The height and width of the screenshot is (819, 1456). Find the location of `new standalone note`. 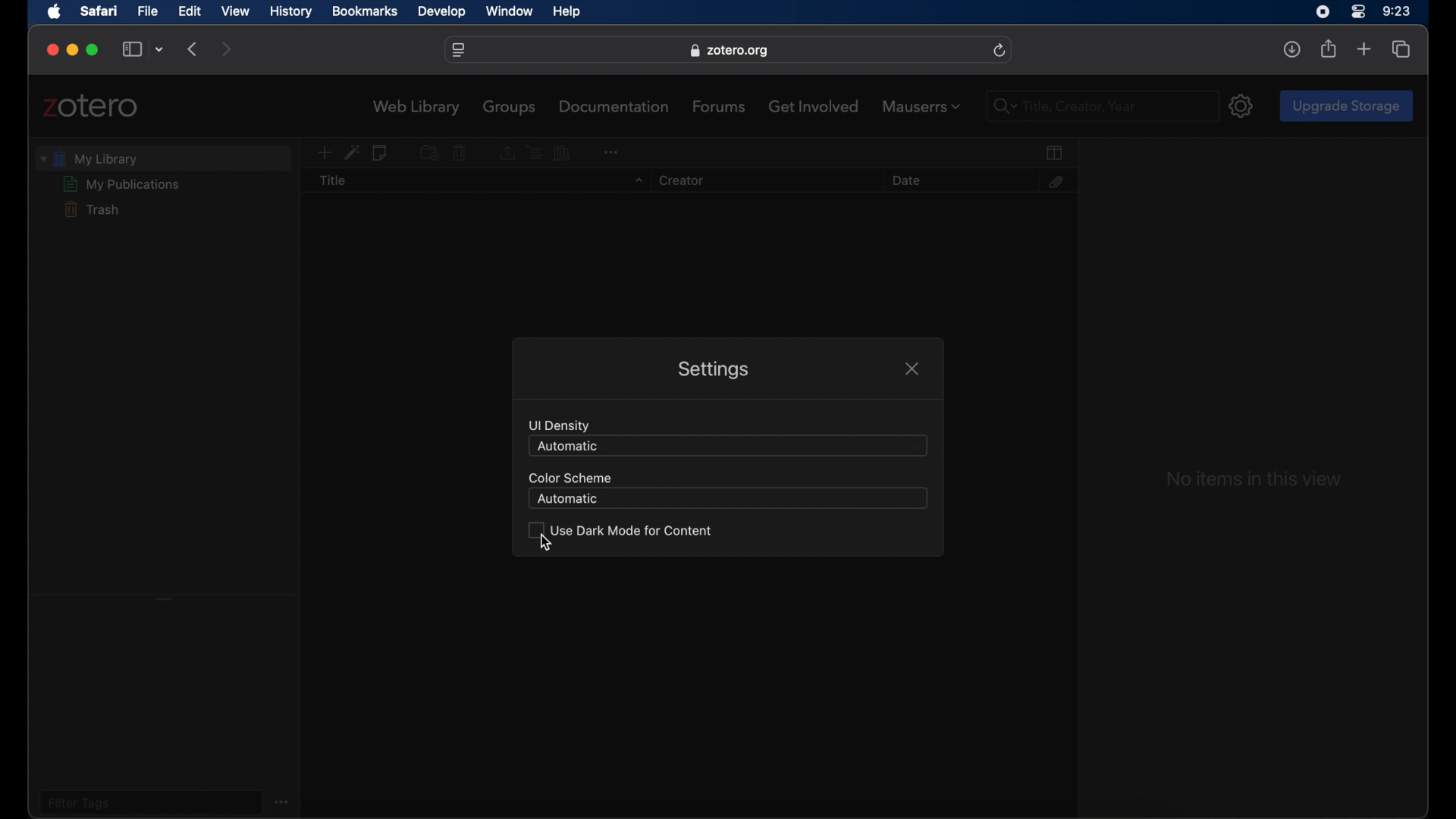

new standalone note is located at coordinates (381, 153).